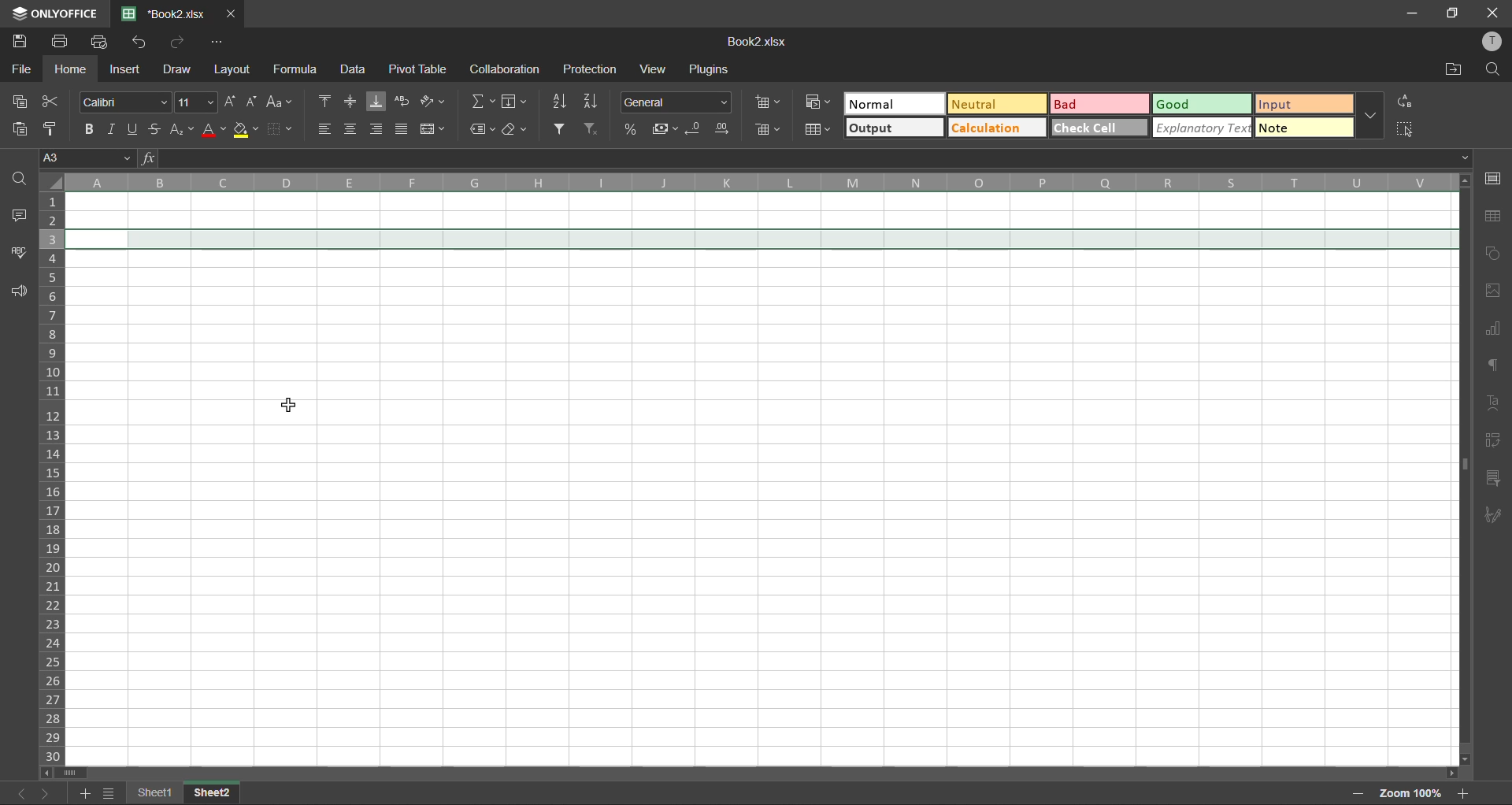  What do you see at coordinates (758, 480) in the screenshot?
I see `cells` at bounding box center [758, 480].